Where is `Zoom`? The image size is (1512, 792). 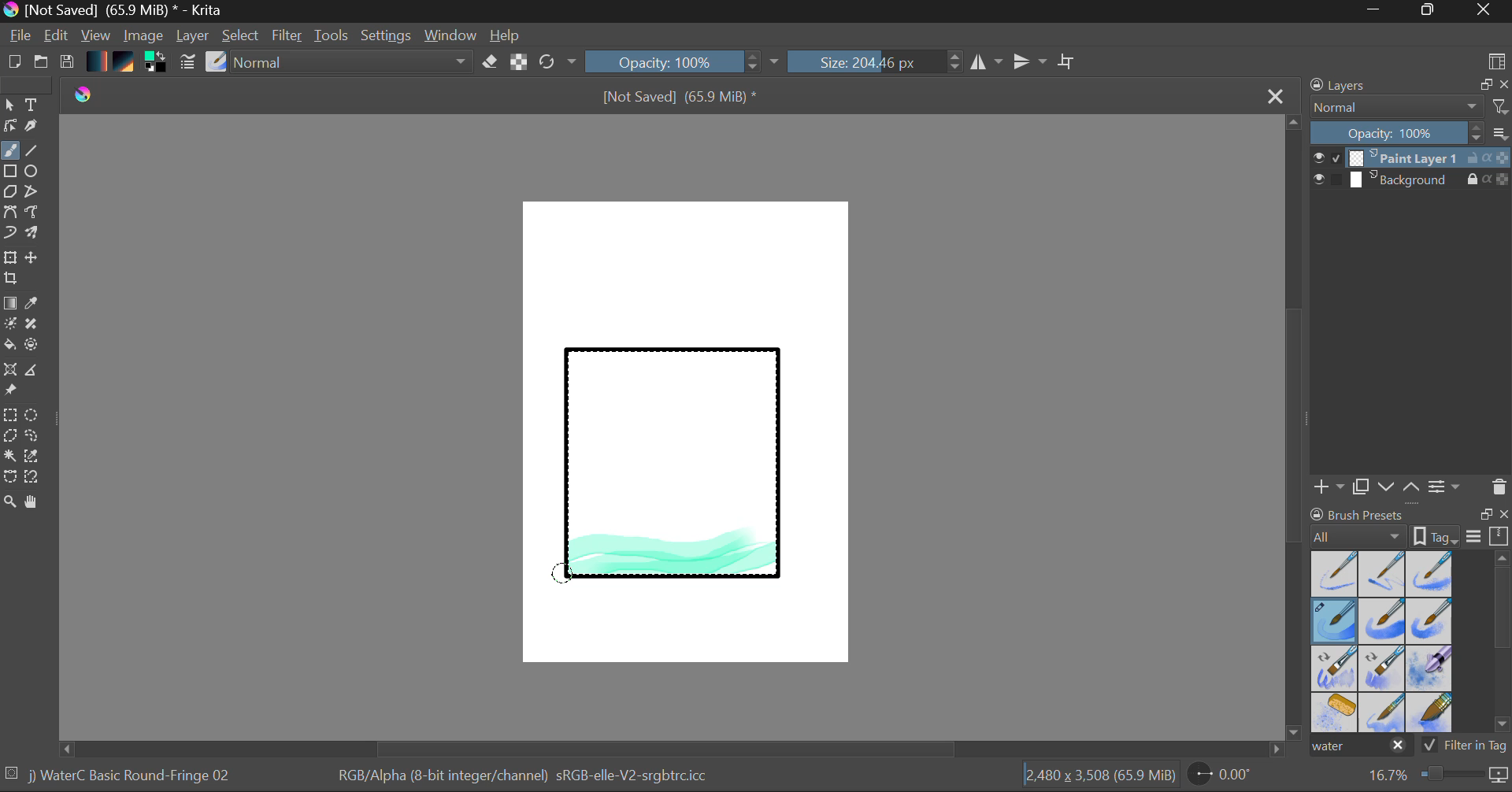
Zoom is located at coordinates (1436, 775).